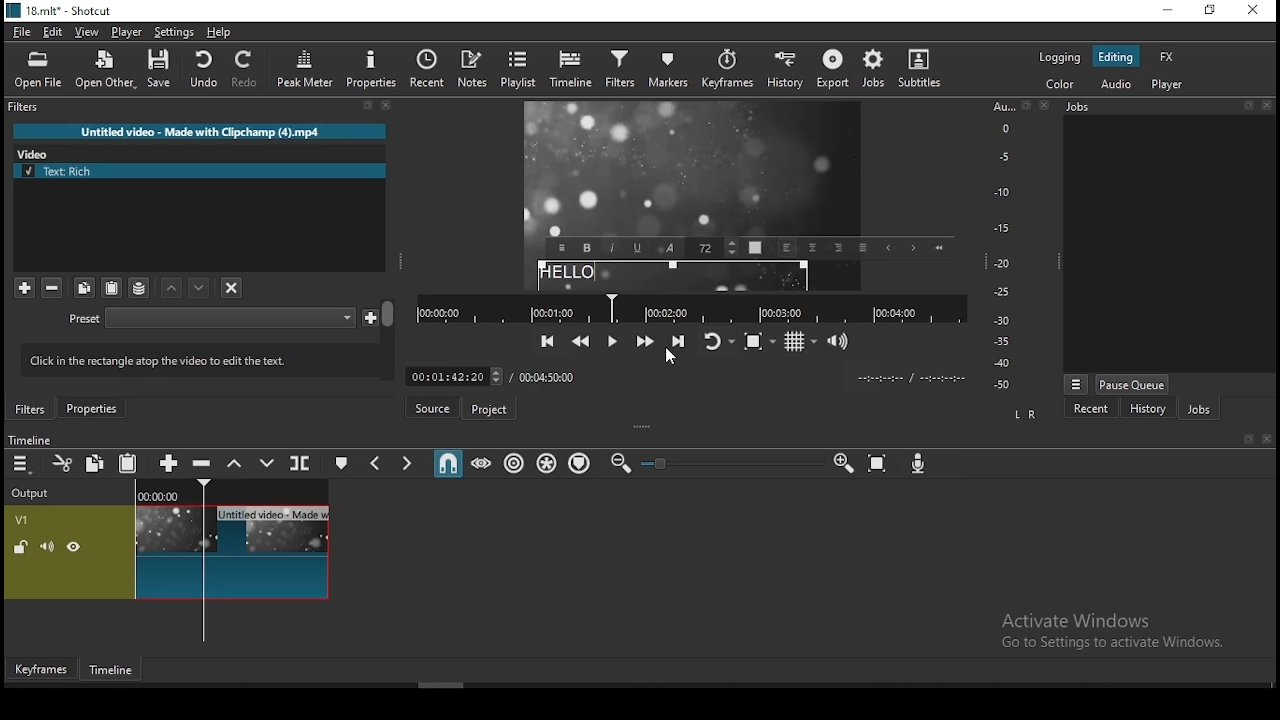 The height and width of the screenshot is (720, 1280). I want to click on total time, so click(550, 376).